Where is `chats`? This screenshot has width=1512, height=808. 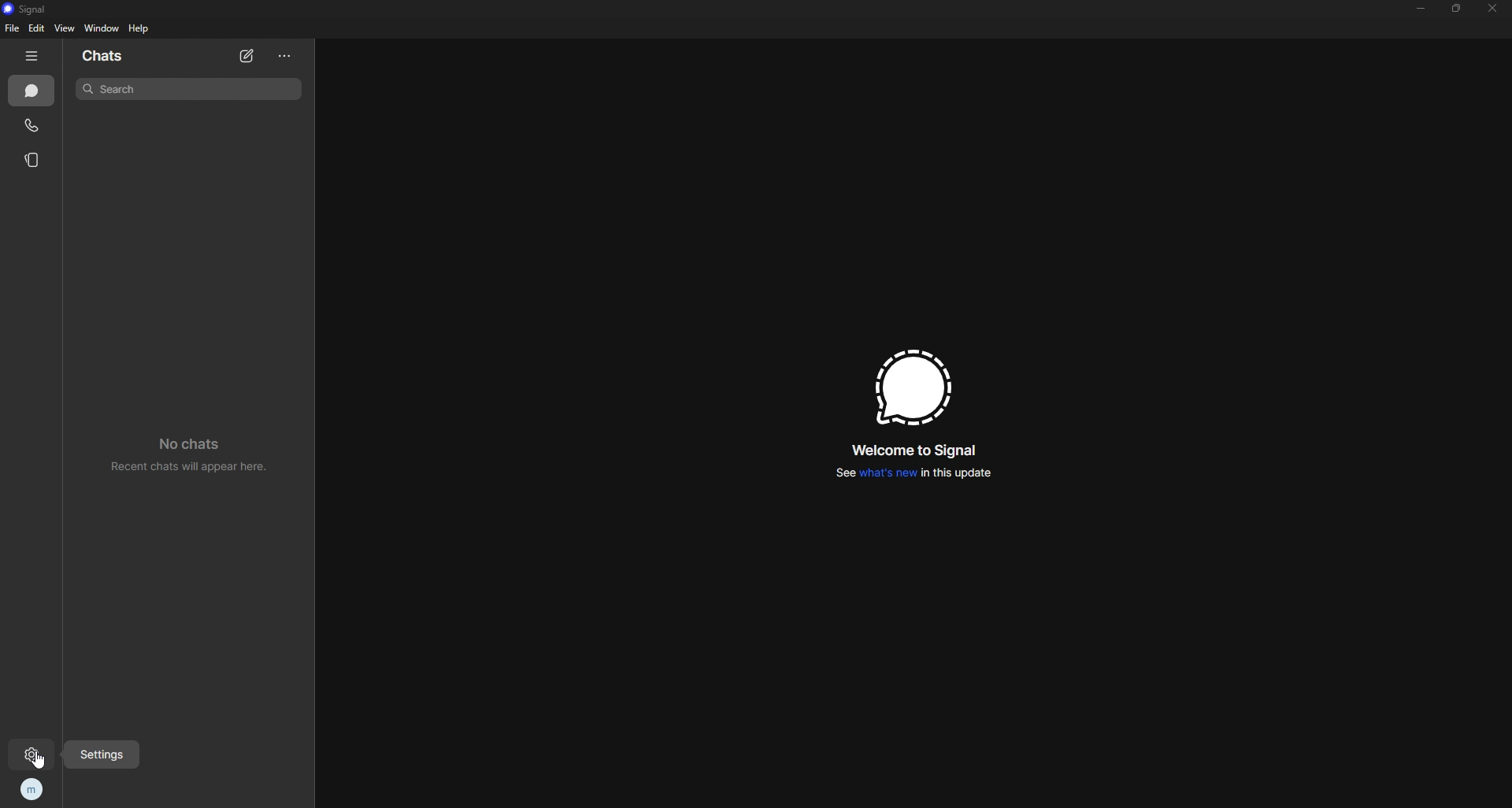 chats is located at coordinates (107, 57).